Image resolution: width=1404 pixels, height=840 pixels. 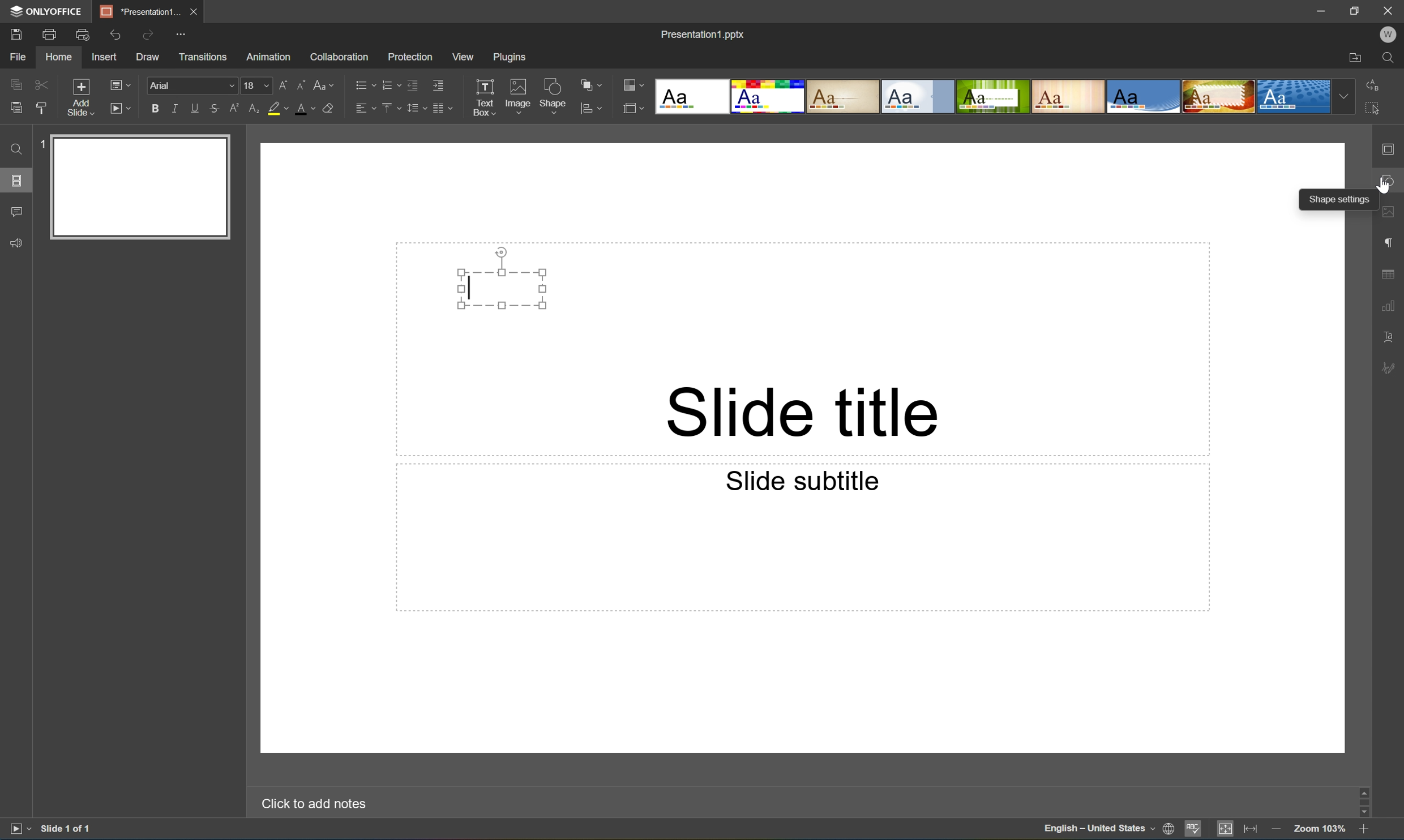 What do you see at coordinates (1376, 112) in the screenshot?
I see `Select all` at bounding box center [1376, 112].